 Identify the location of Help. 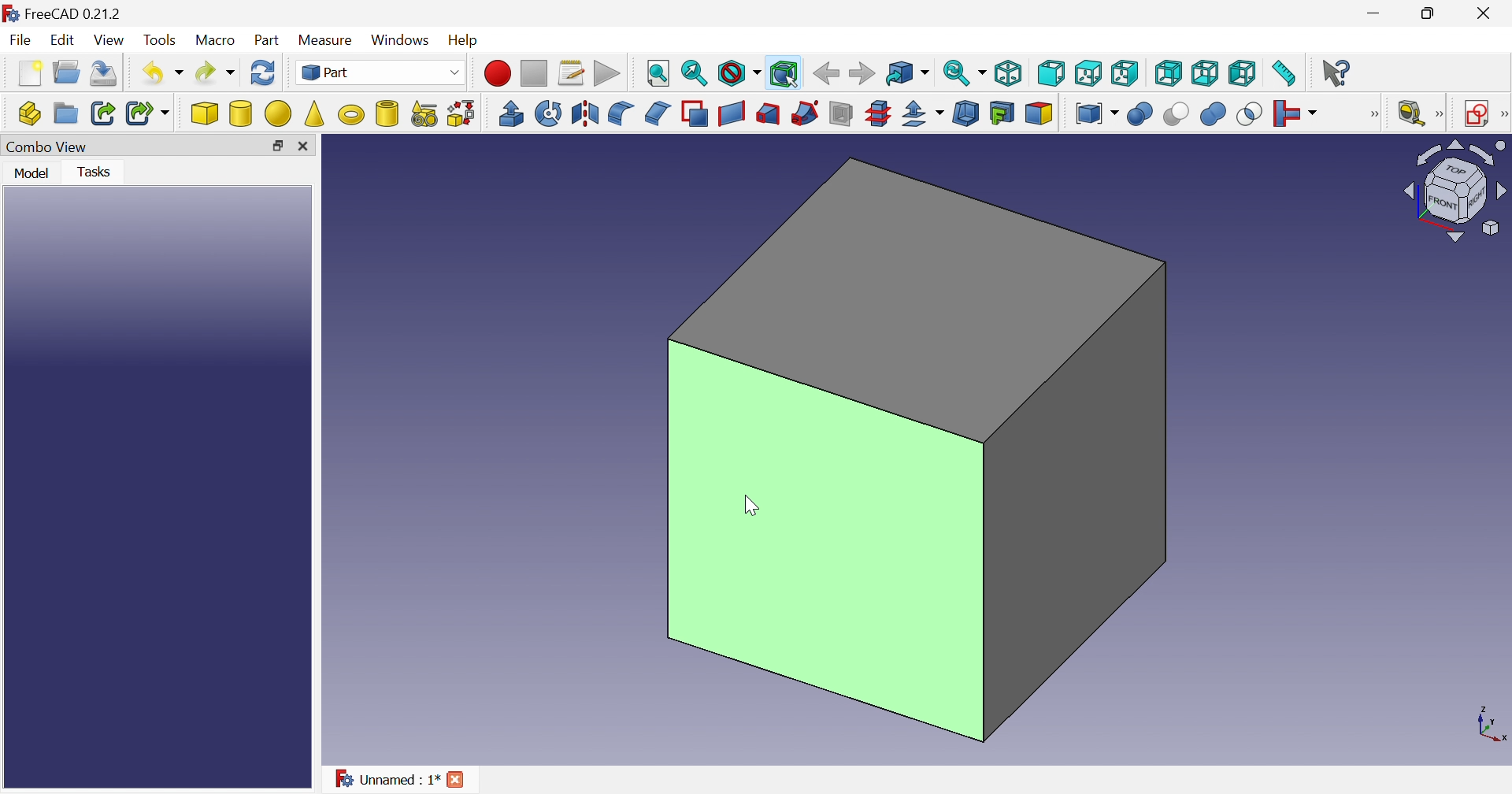
(467, 39).